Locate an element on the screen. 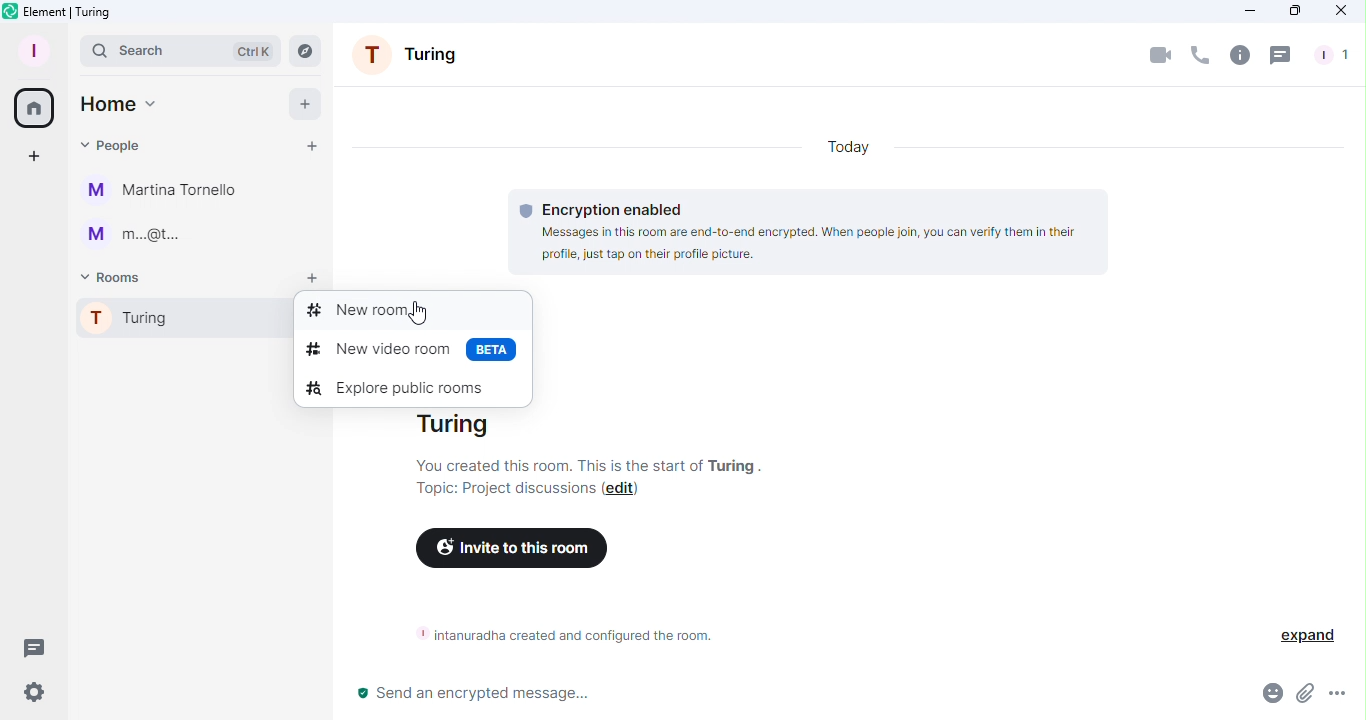  Cursor is located at coordinates (418, 312).